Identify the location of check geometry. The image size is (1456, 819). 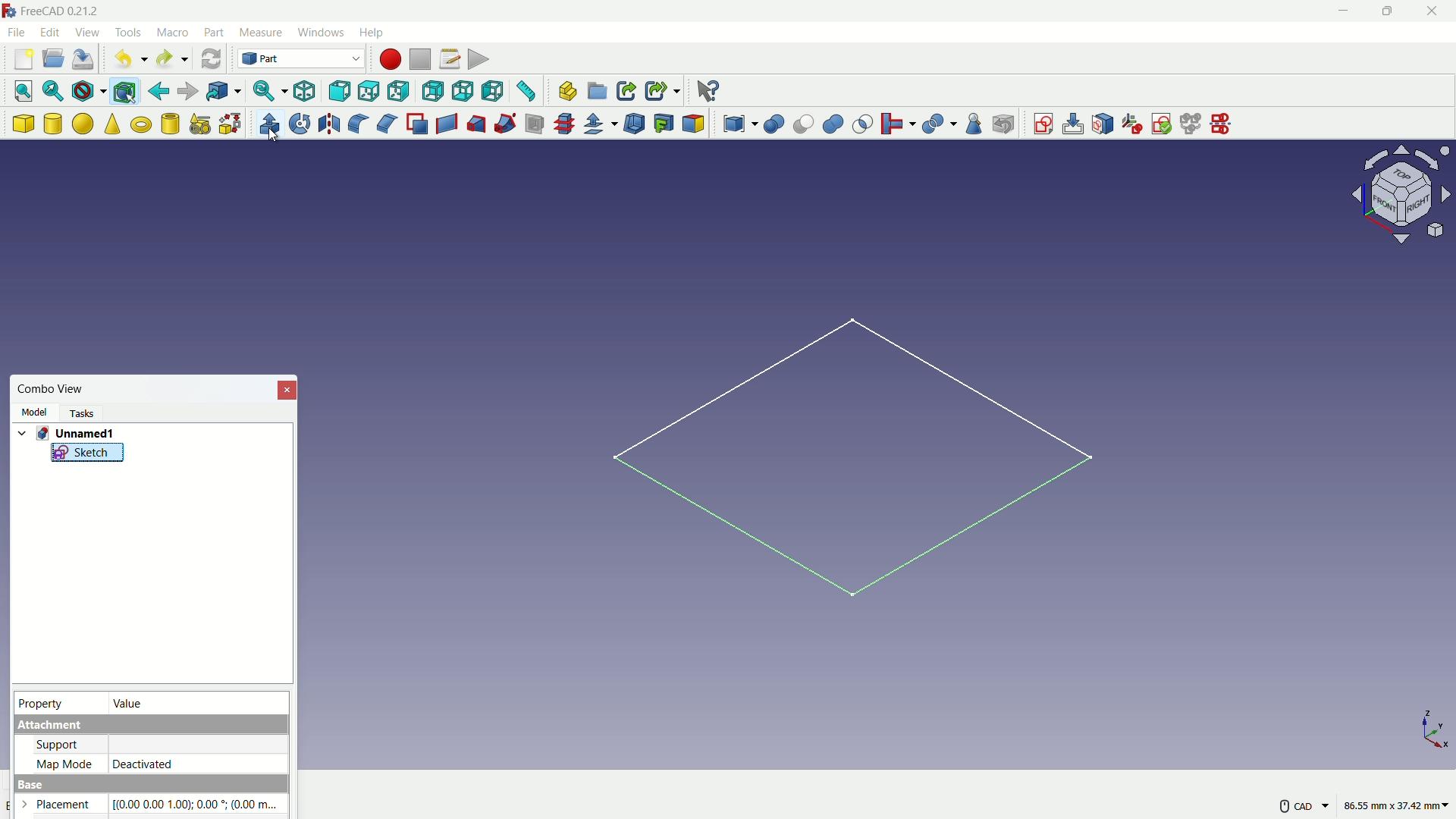
(976, 124).